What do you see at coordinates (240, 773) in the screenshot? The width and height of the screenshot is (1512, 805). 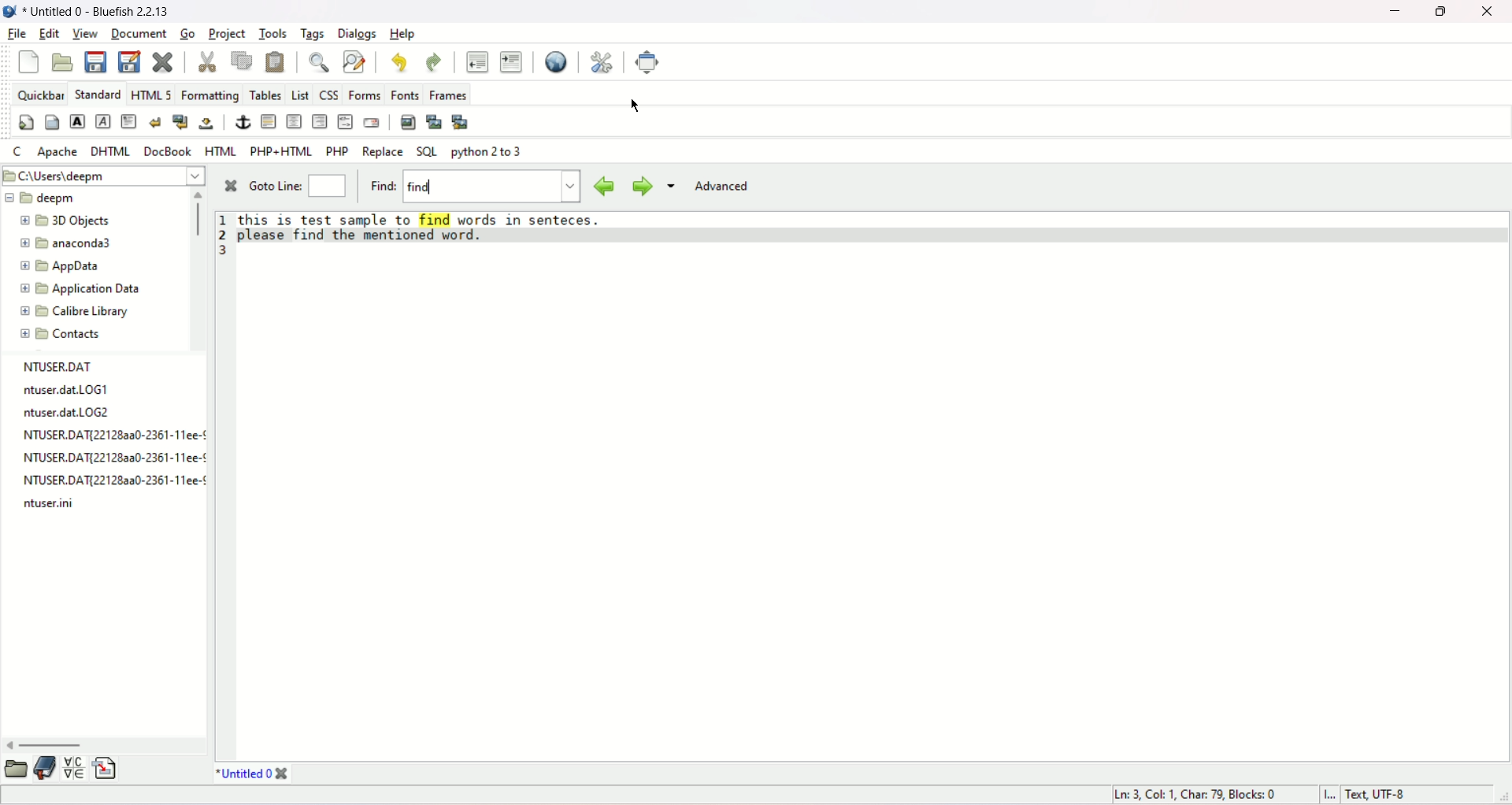 I see `title` at bounding box center [240, 773].